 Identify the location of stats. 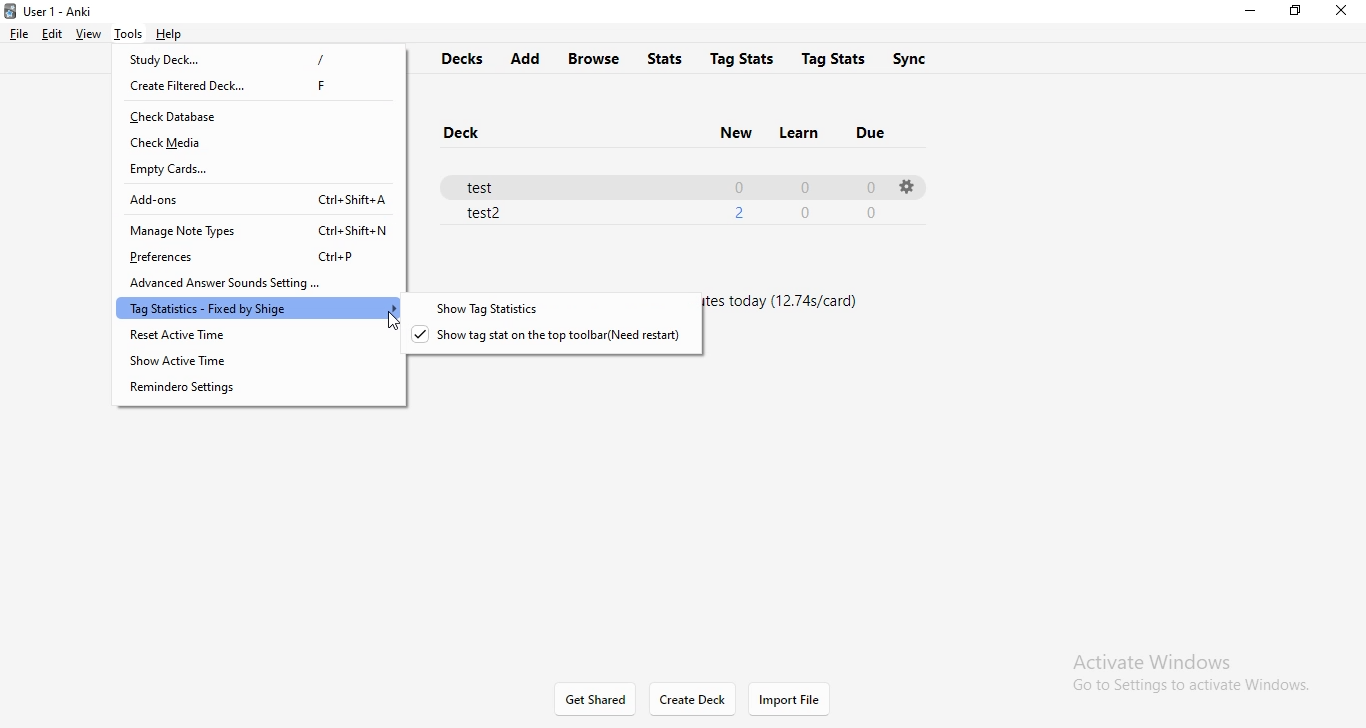
(665, 59).